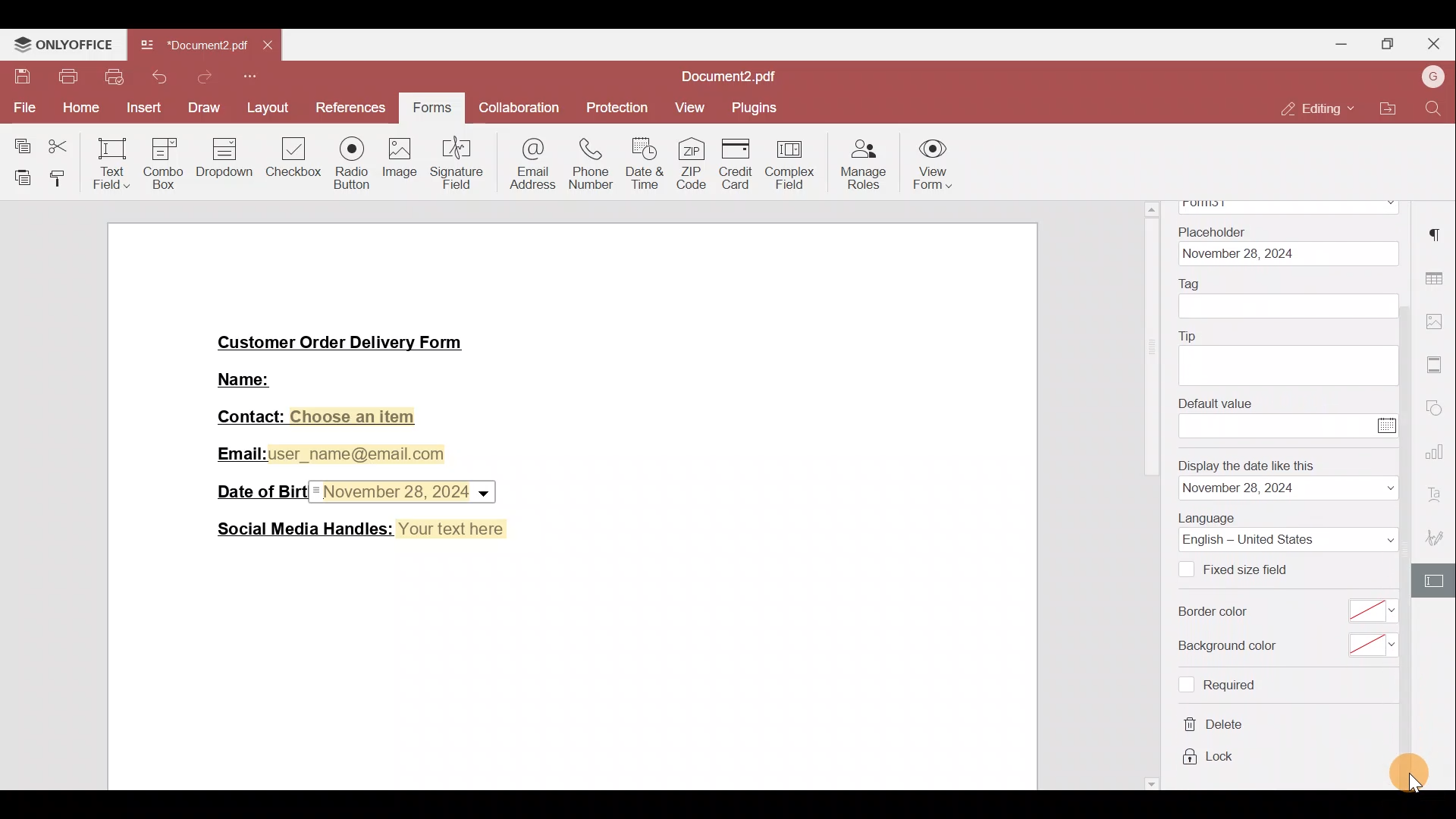  I want to click on Quick print, so click(113, 76).